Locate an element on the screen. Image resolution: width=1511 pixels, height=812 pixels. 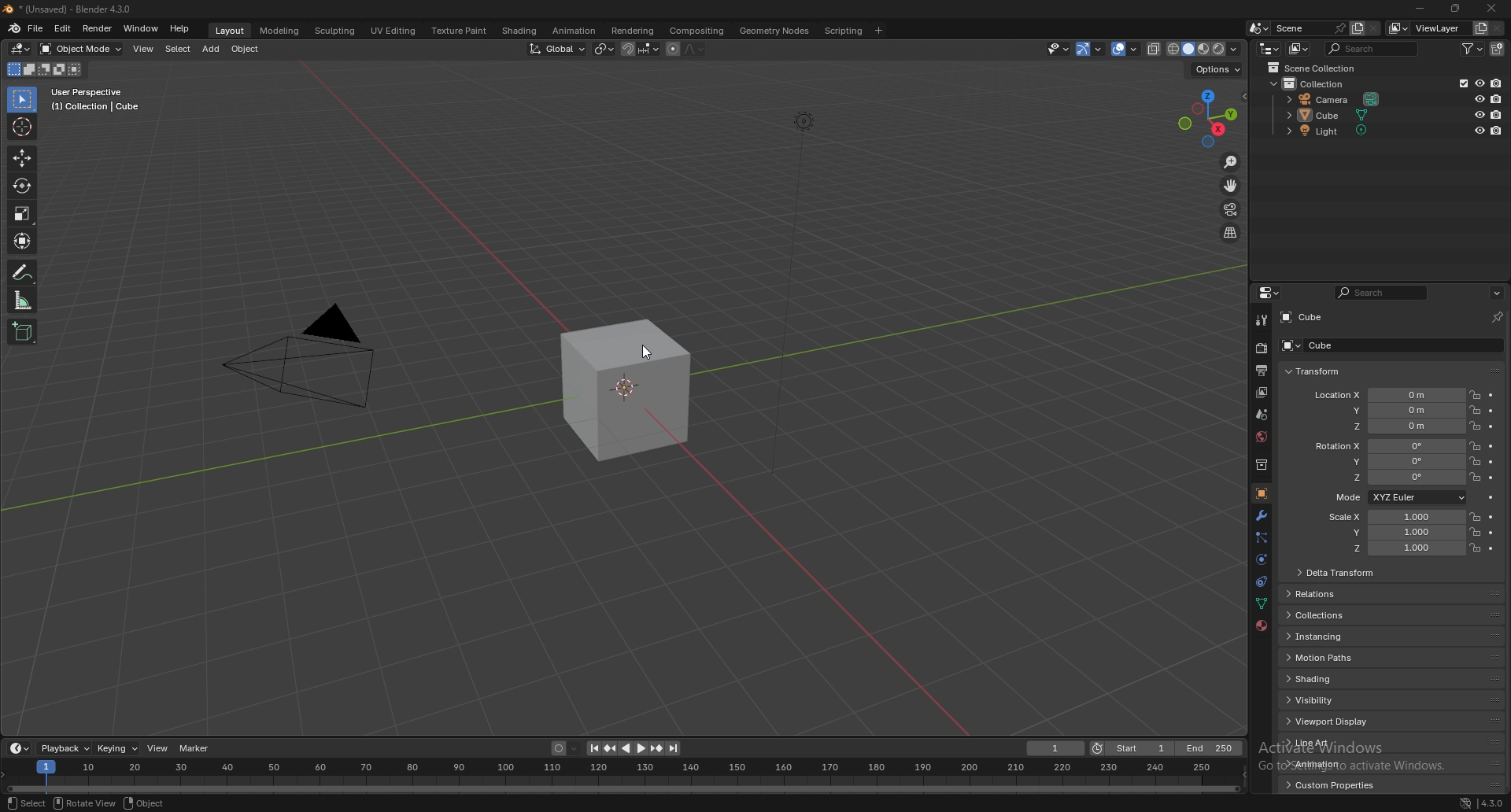
start is located at coordinates (1132, 747).